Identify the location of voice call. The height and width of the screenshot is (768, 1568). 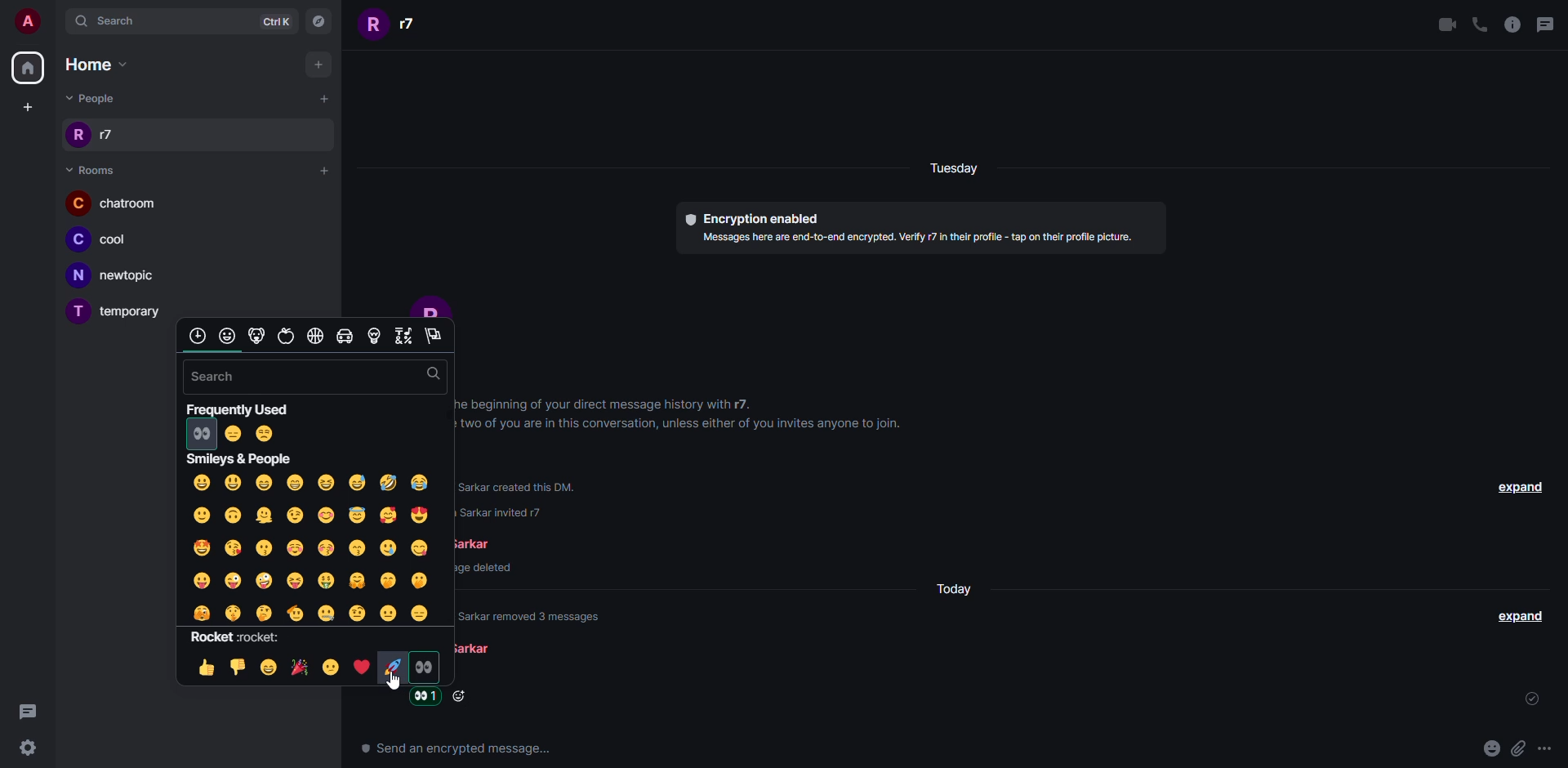
(1479, 24).